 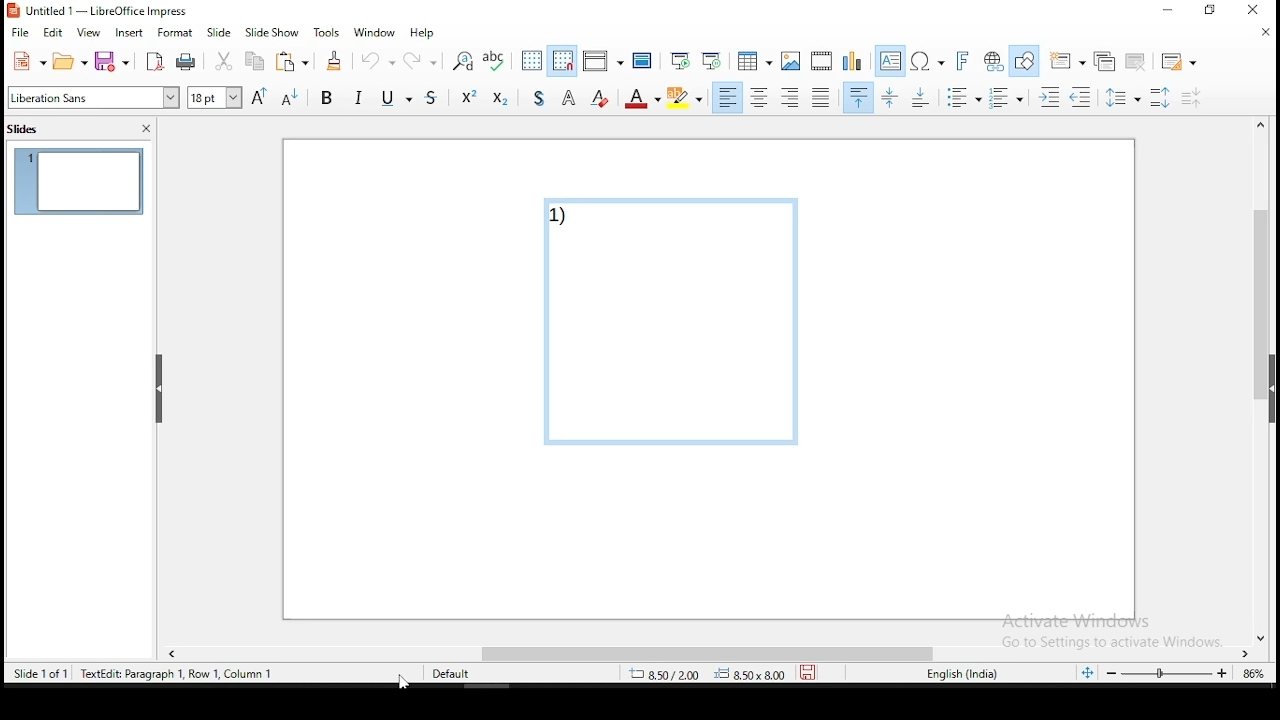 I want to click on mouse pointer, so click(x=1004, y=102).